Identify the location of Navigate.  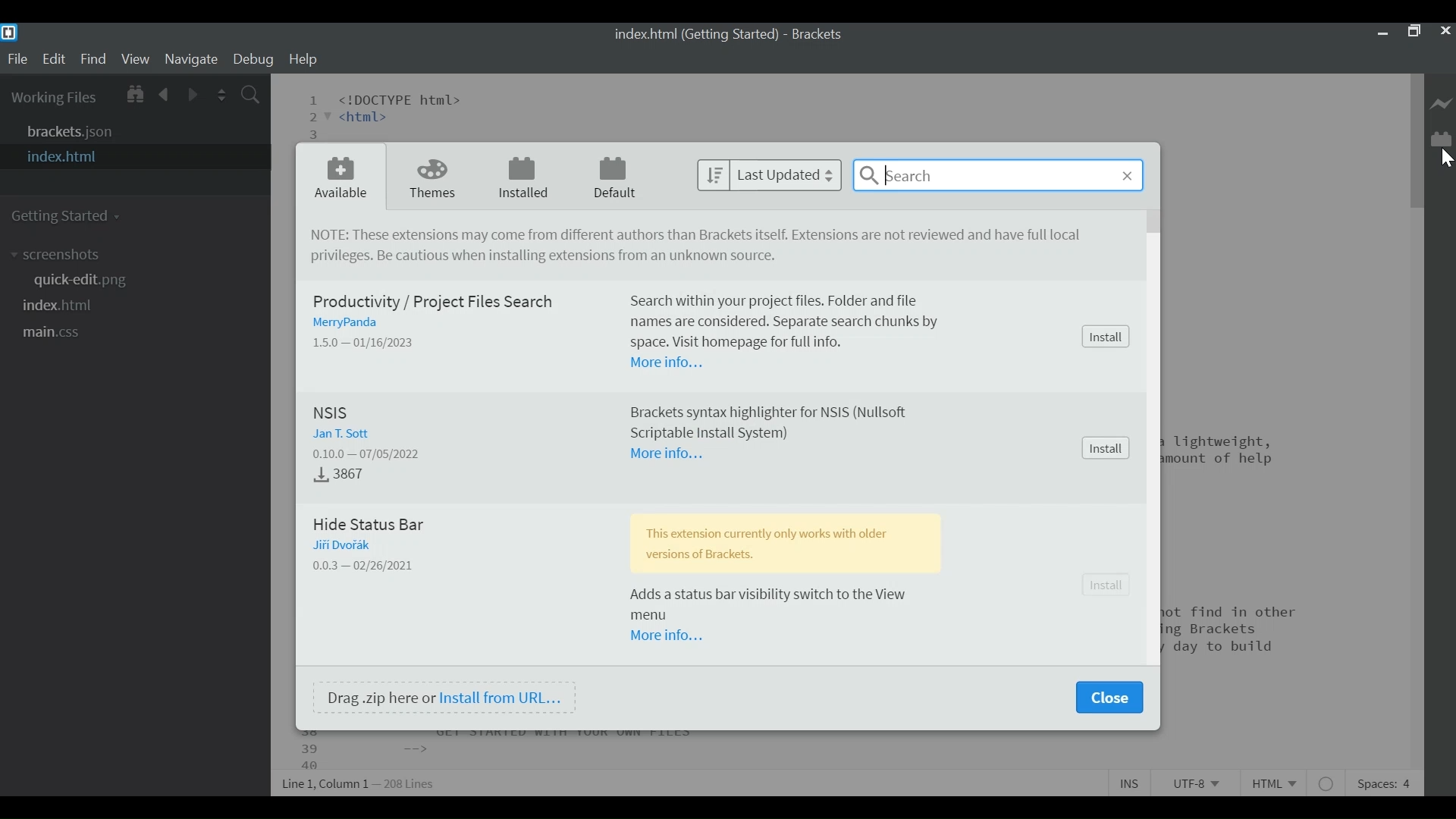
(193, 60).